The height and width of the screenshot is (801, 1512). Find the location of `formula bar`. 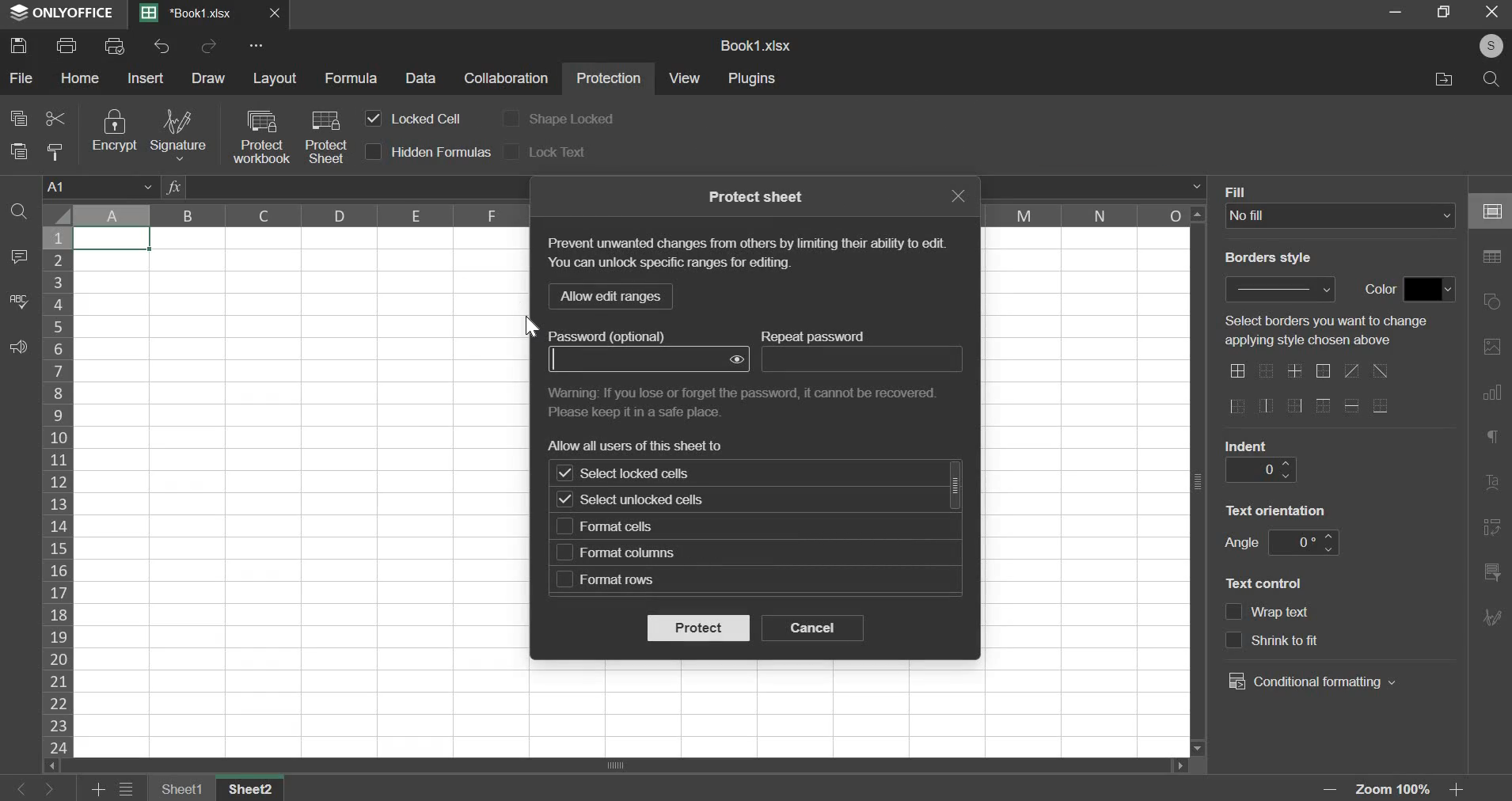

formula bar is located at coordinates (1196, 186).